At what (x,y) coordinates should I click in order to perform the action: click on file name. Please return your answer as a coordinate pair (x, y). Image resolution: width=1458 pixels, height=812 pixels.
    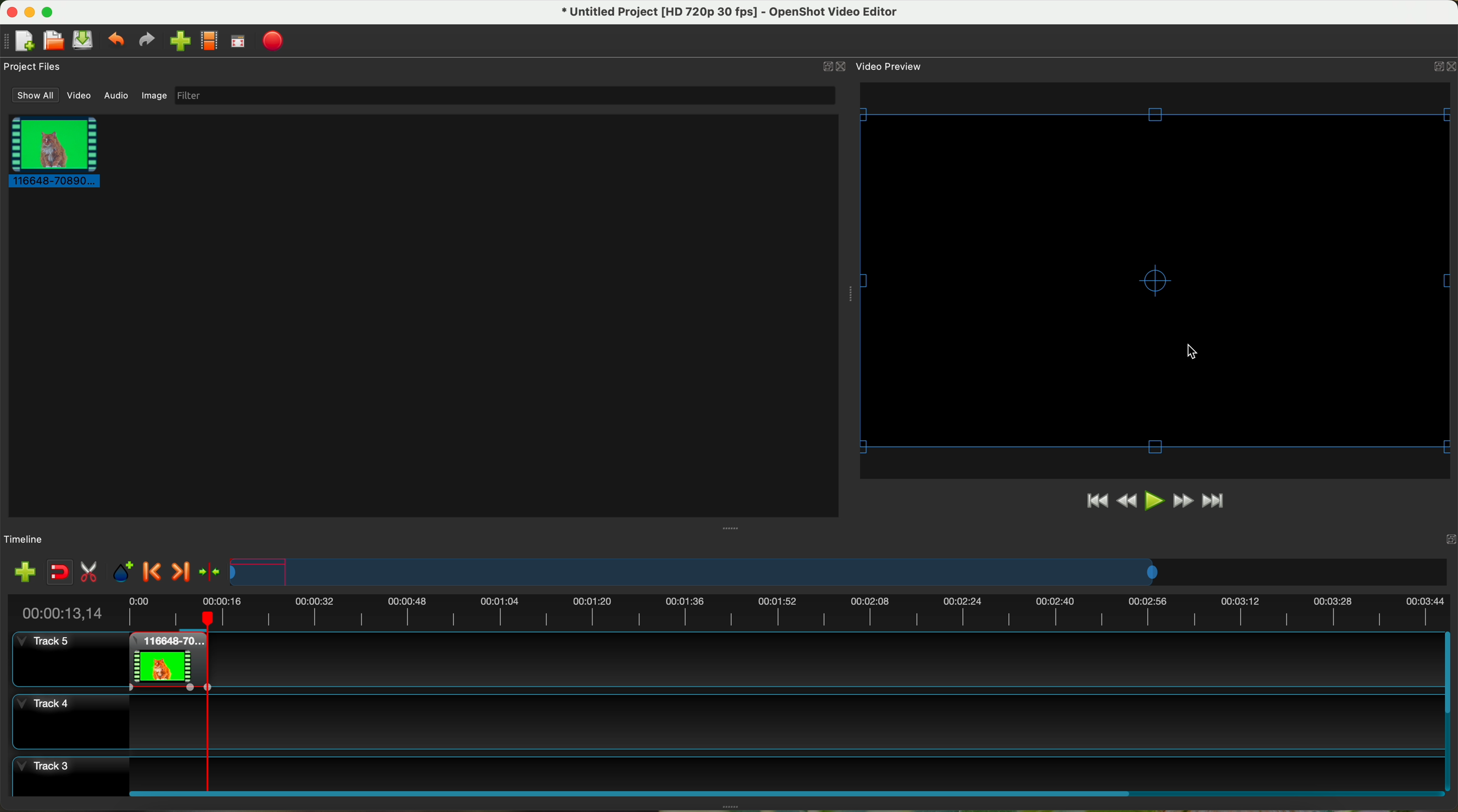
    Looking at the image, I should click on (731, 12).